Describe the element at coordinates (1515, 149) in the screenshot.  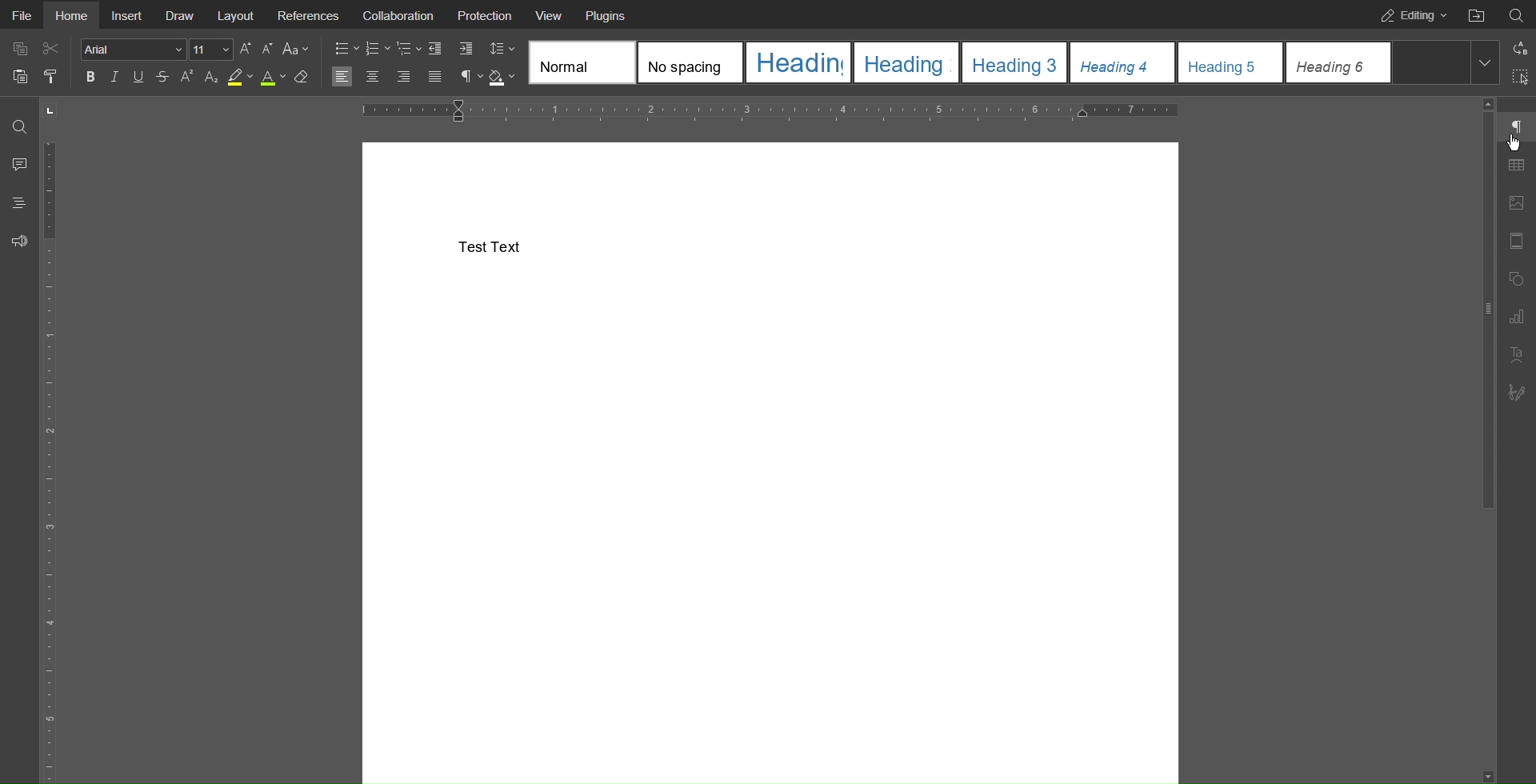
I see `` at that location.